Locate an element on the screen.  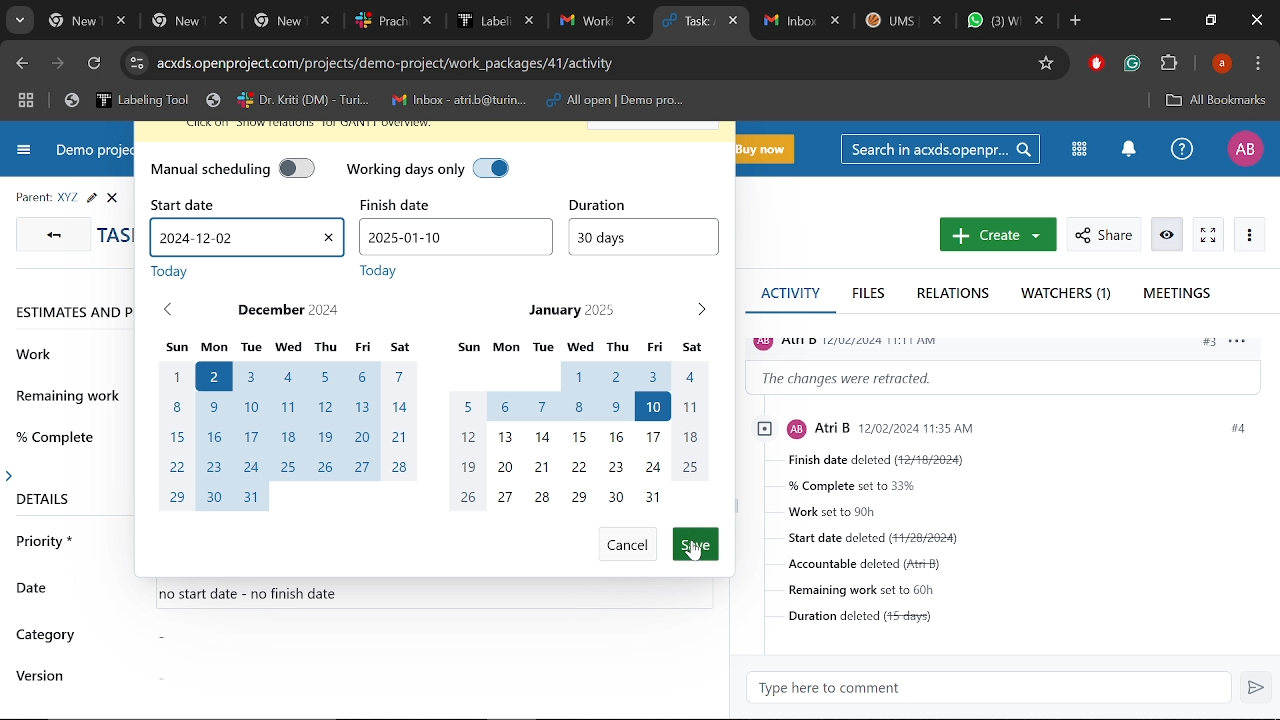
January 2025 is located at coordinates (571, 308).